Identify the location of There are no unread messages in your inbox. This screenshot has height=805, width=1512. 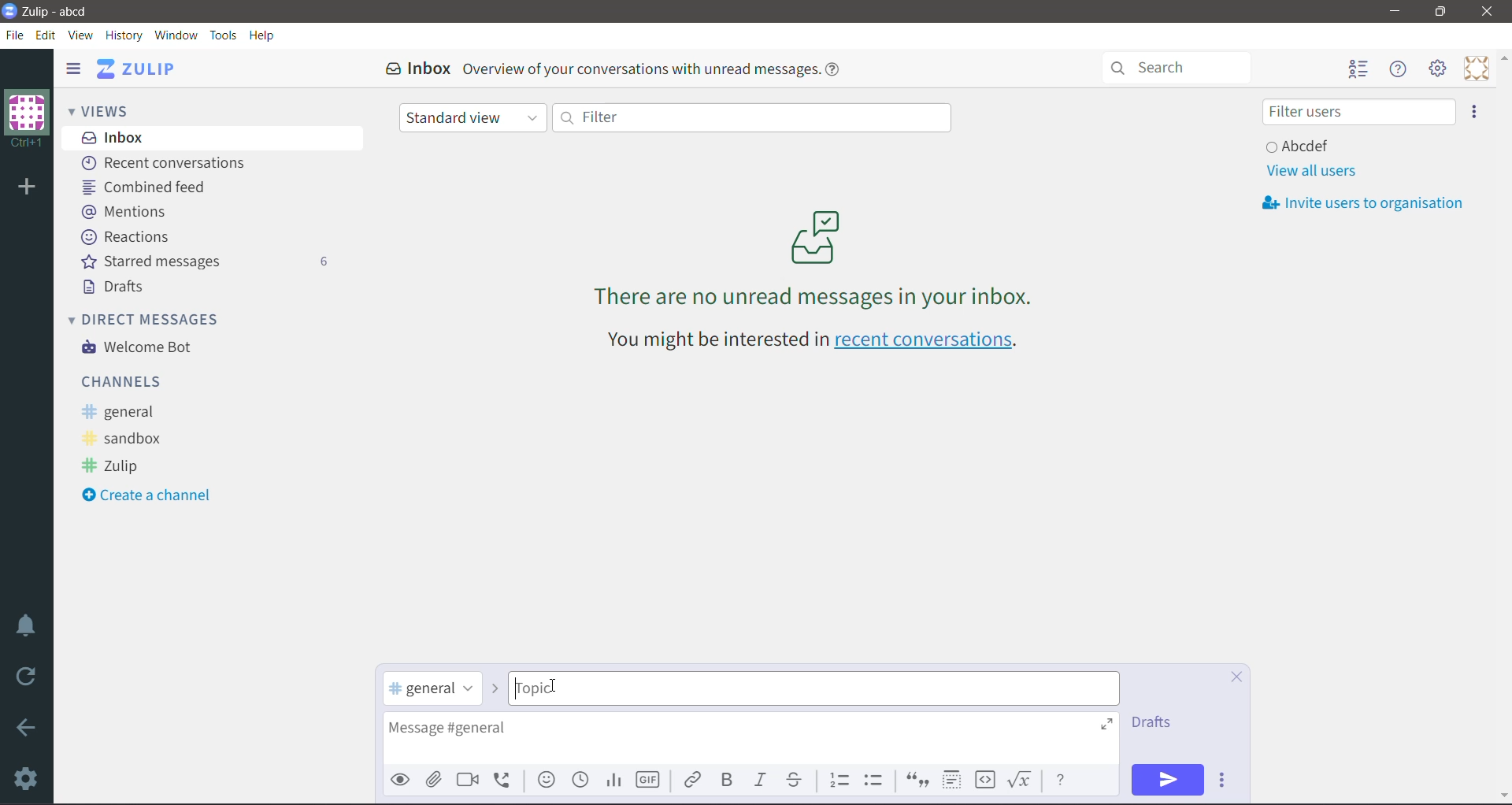
(815, 258).